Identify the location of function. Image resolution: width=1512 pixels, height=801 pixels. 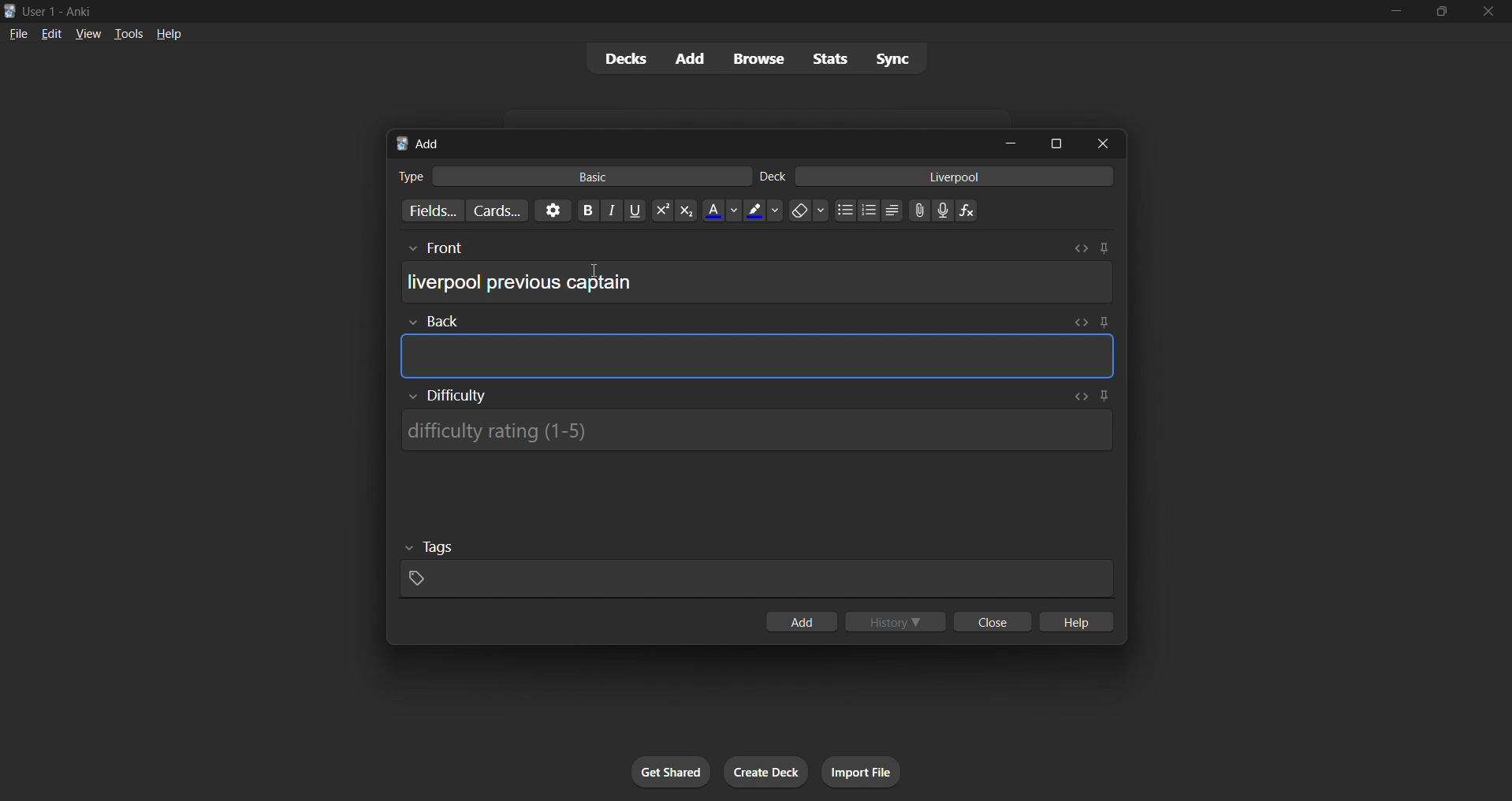
(972, 211).